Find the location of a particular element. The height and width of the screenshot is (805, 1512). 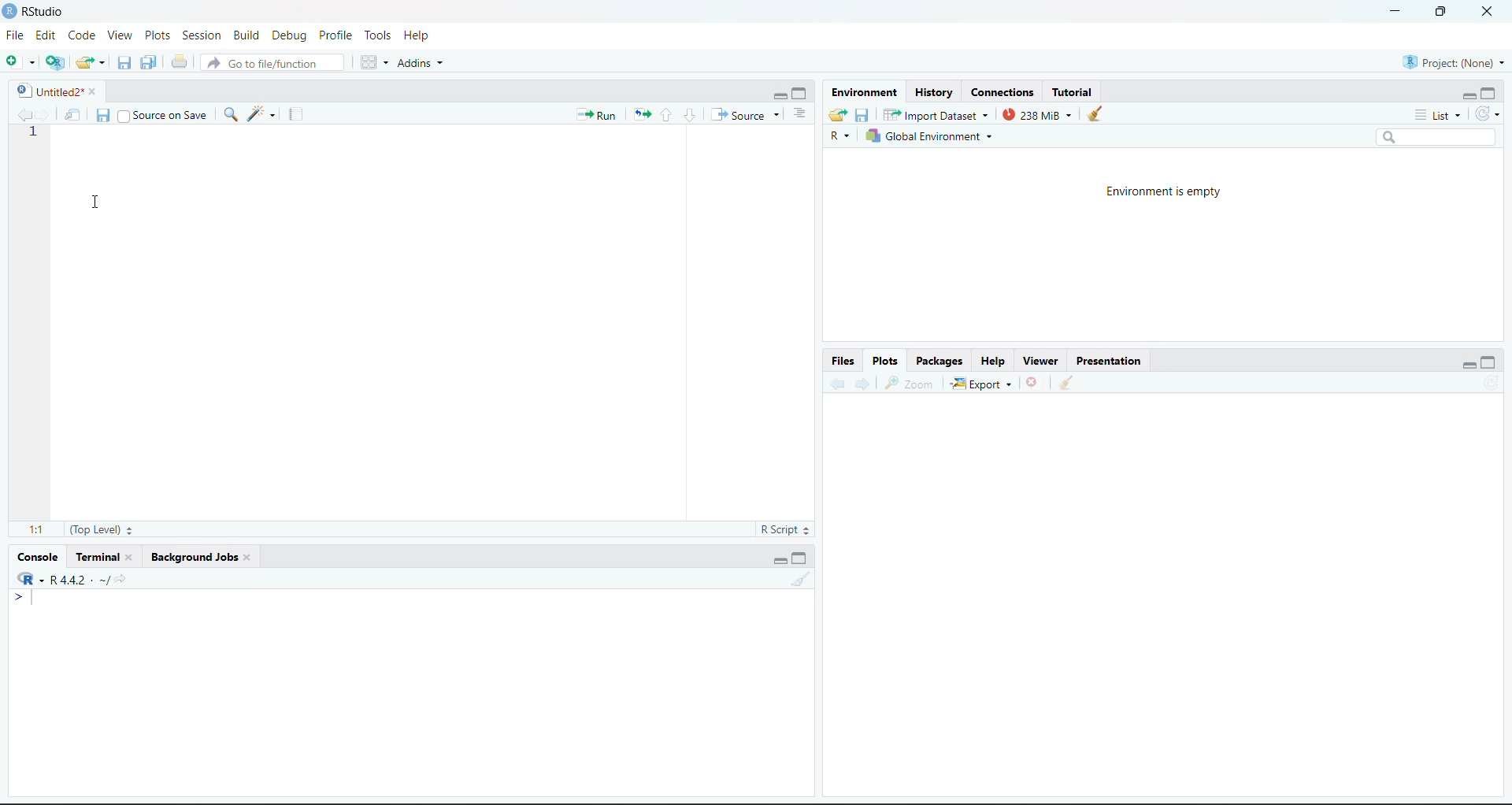

maximize is located at coordinates (1488, 93).